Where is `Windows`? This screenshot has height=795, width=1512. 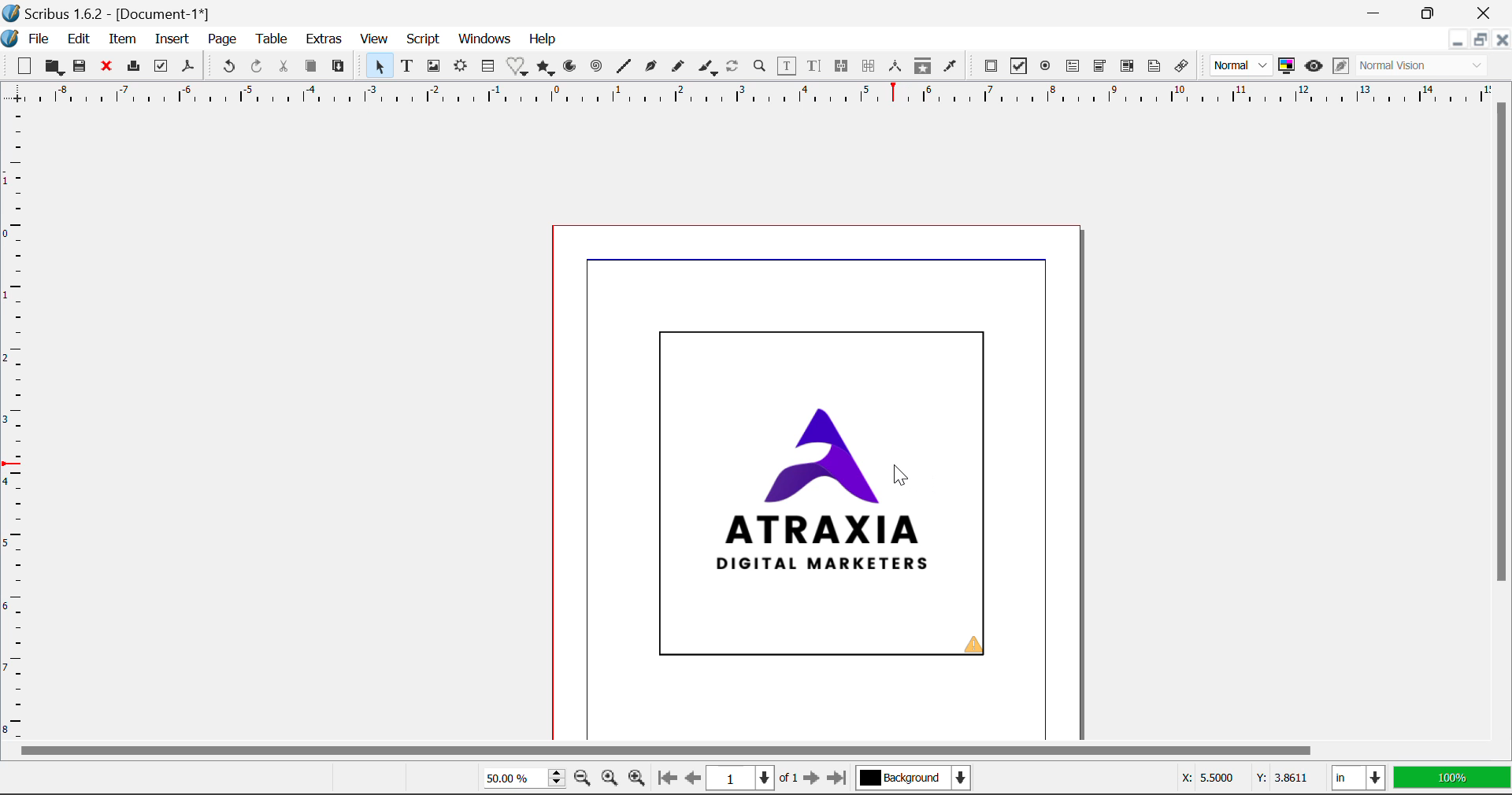
Windows is located at coordinates (485, 39).